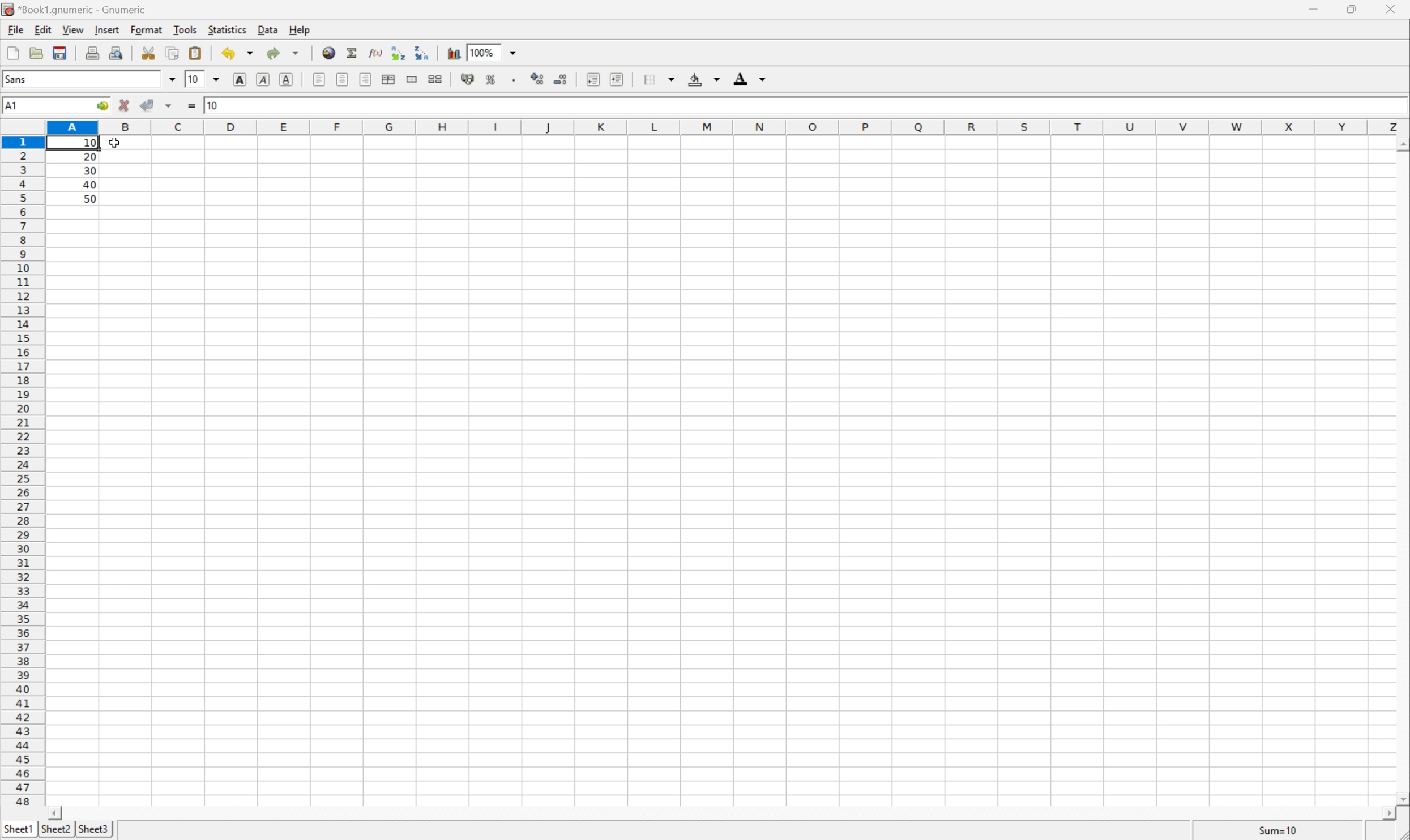 The width and height of the screenshot is (1410, 840). Describe the element at coordinates (194, 79) in the screenshot. I see `10` at that location.